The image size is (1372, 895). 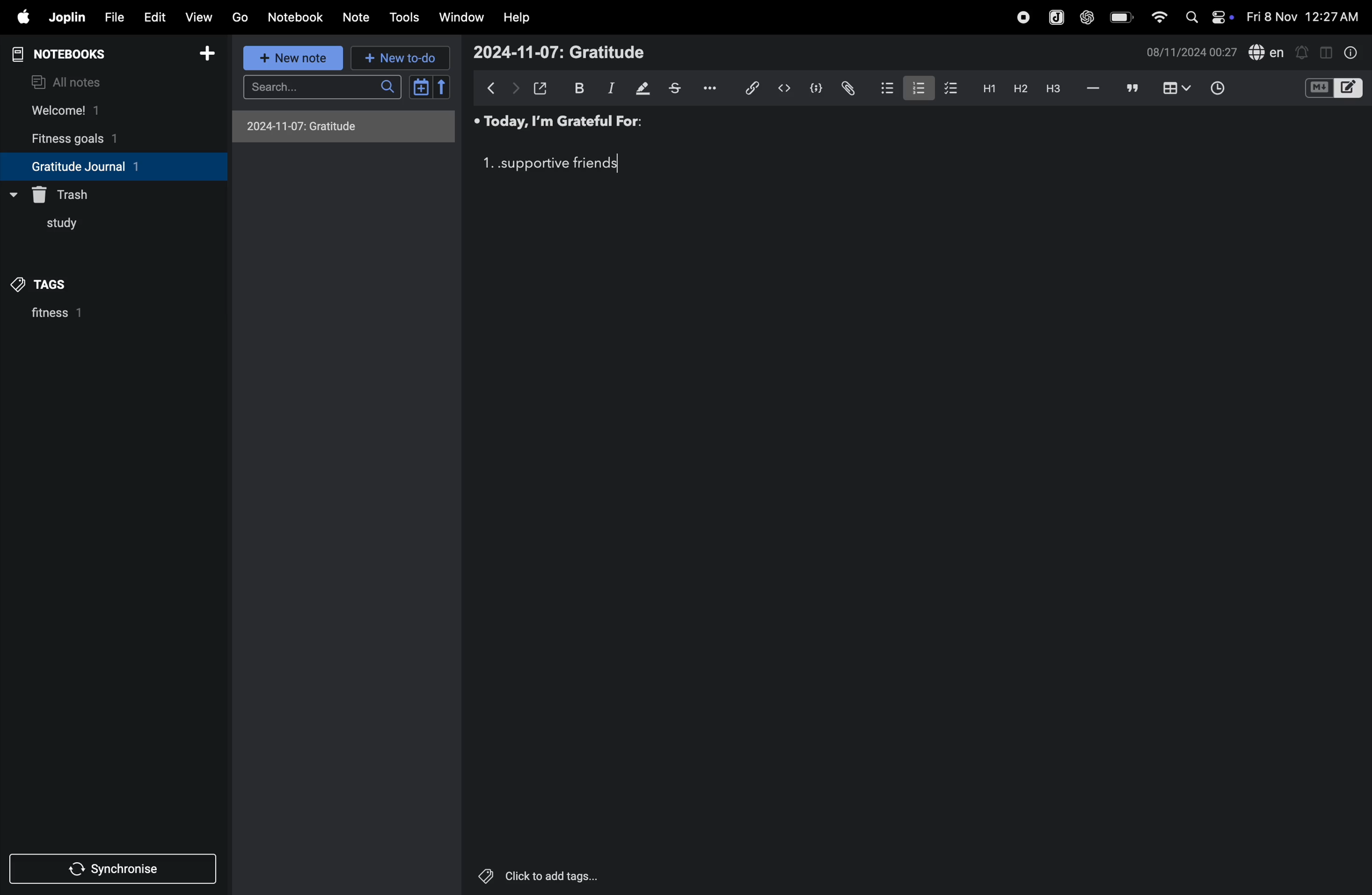 What do you see at coordinates (353, 17) in the screenshot?
I see `note` at bounding box center [353, 17].